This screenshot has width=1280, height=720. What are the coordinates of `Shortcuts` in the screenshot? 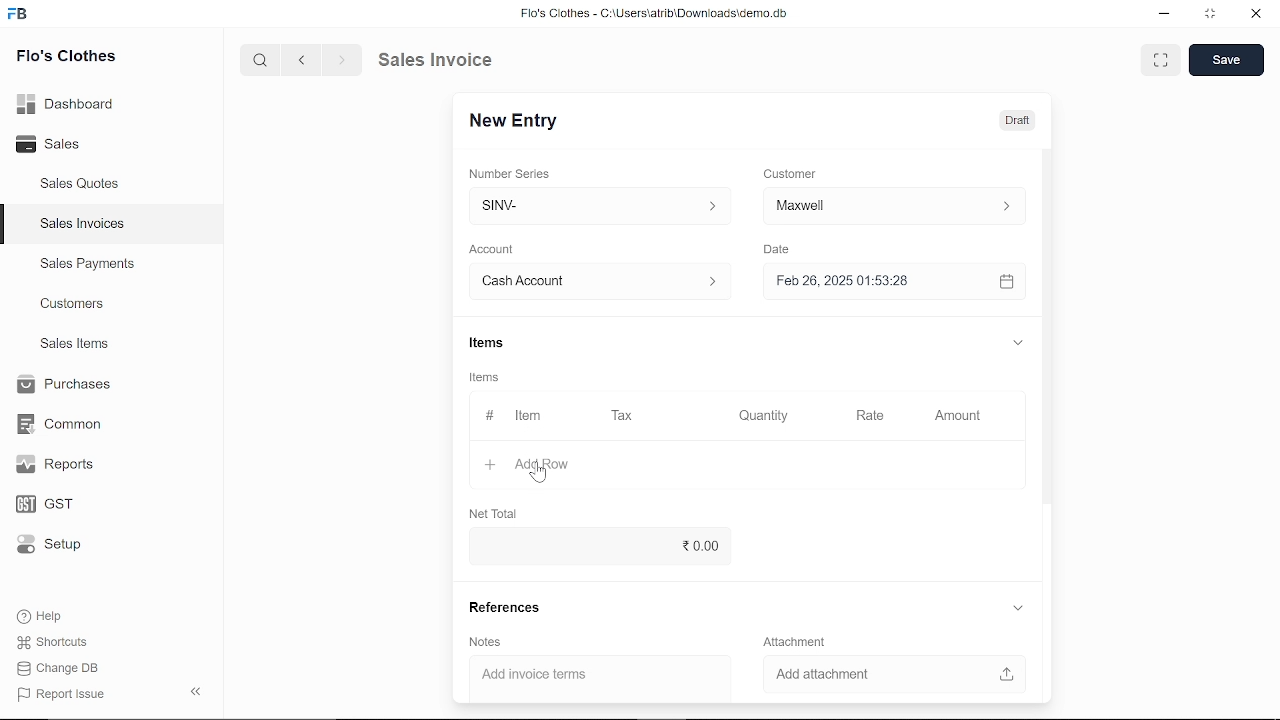 It's located at (63, 643).